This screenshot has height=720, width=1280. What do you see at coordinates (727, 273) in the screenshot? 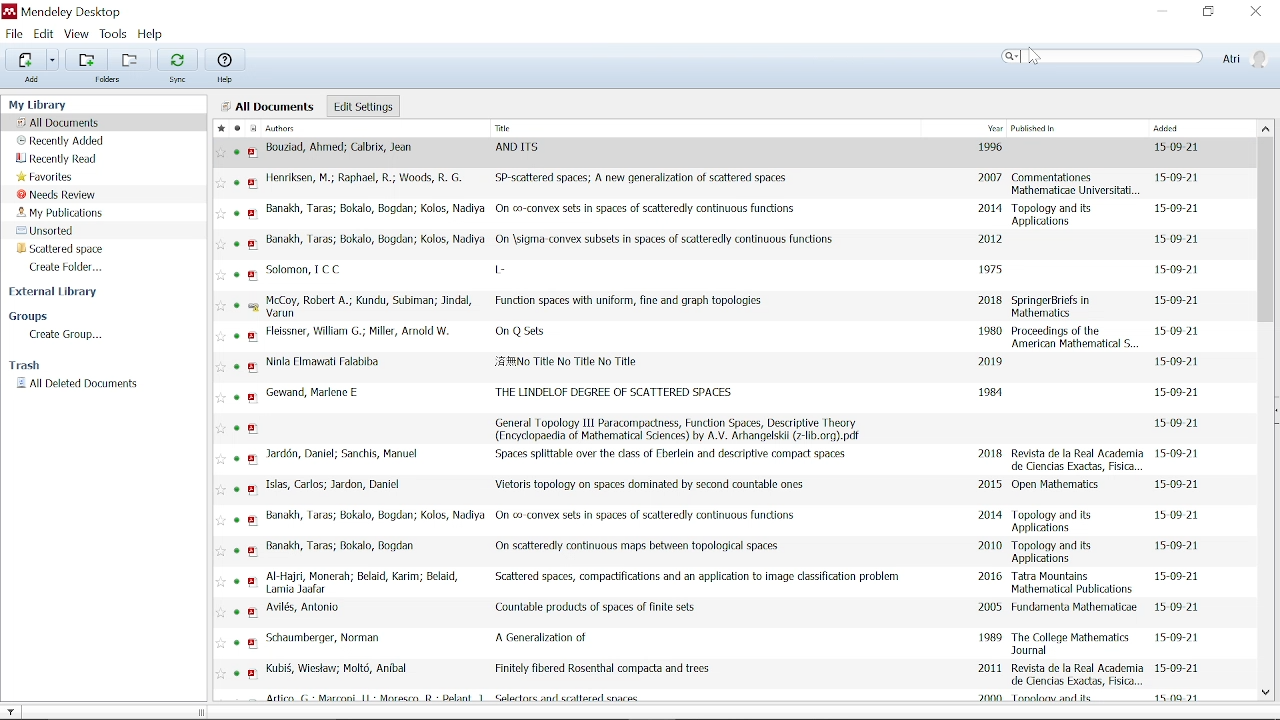
I see `Solomon, TCC l- 1975, 15-00-21` at bounding box center [727, 273].